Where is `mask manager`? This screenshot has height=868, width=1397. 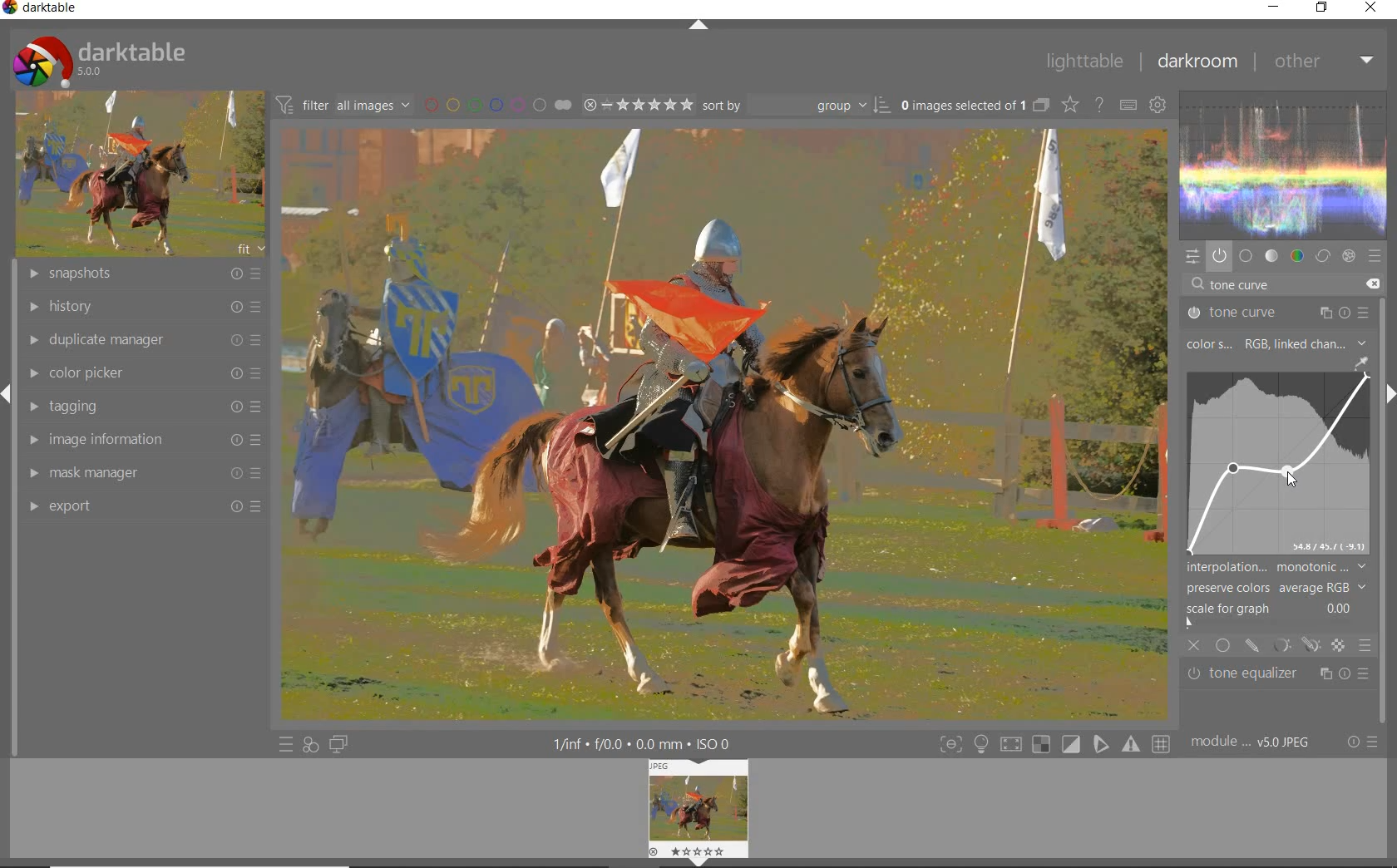 mask manager is located at coordinates (141, 475).